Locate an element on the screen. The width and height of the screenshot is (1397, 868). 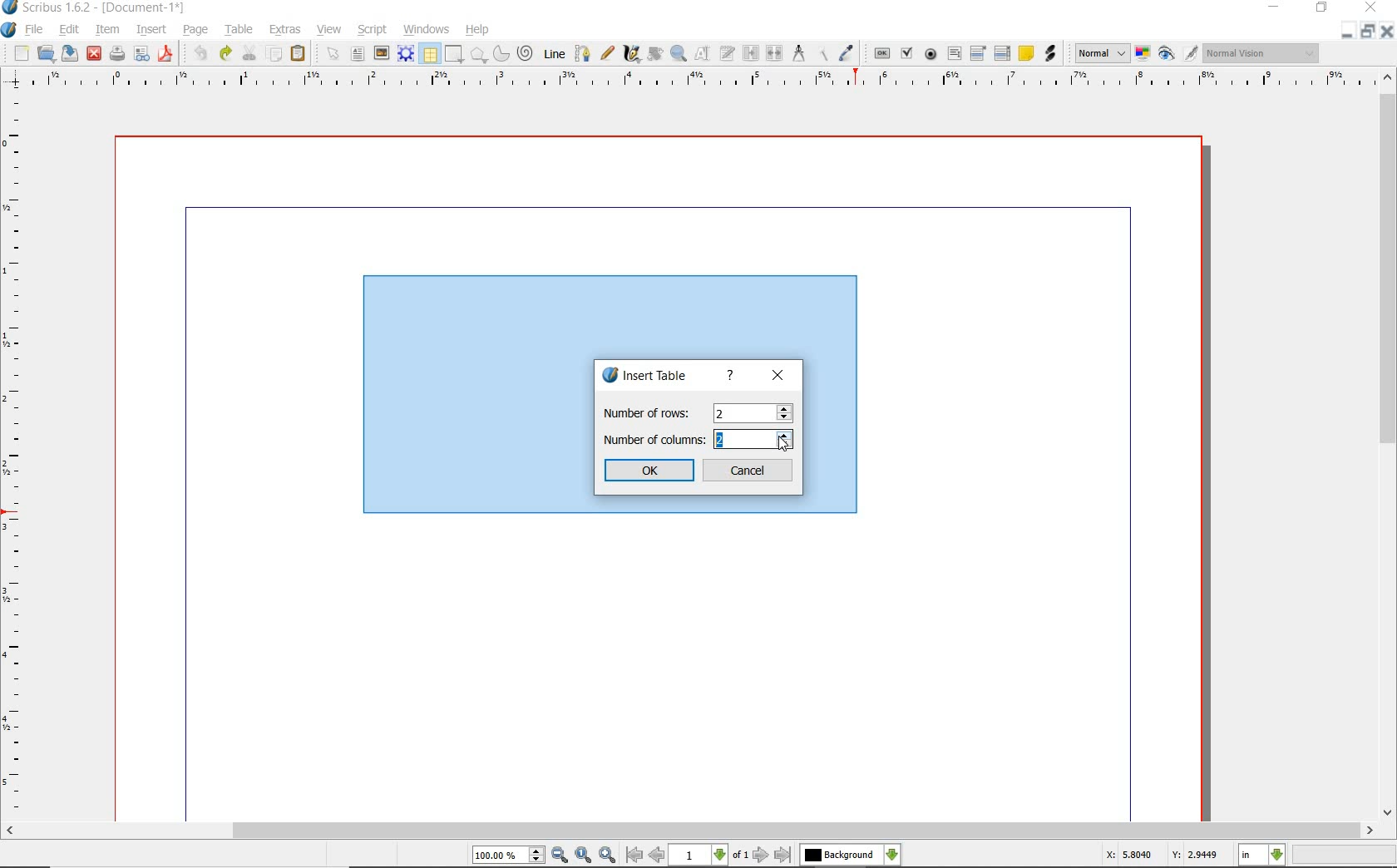
2 is located at coordinates (721, 442).